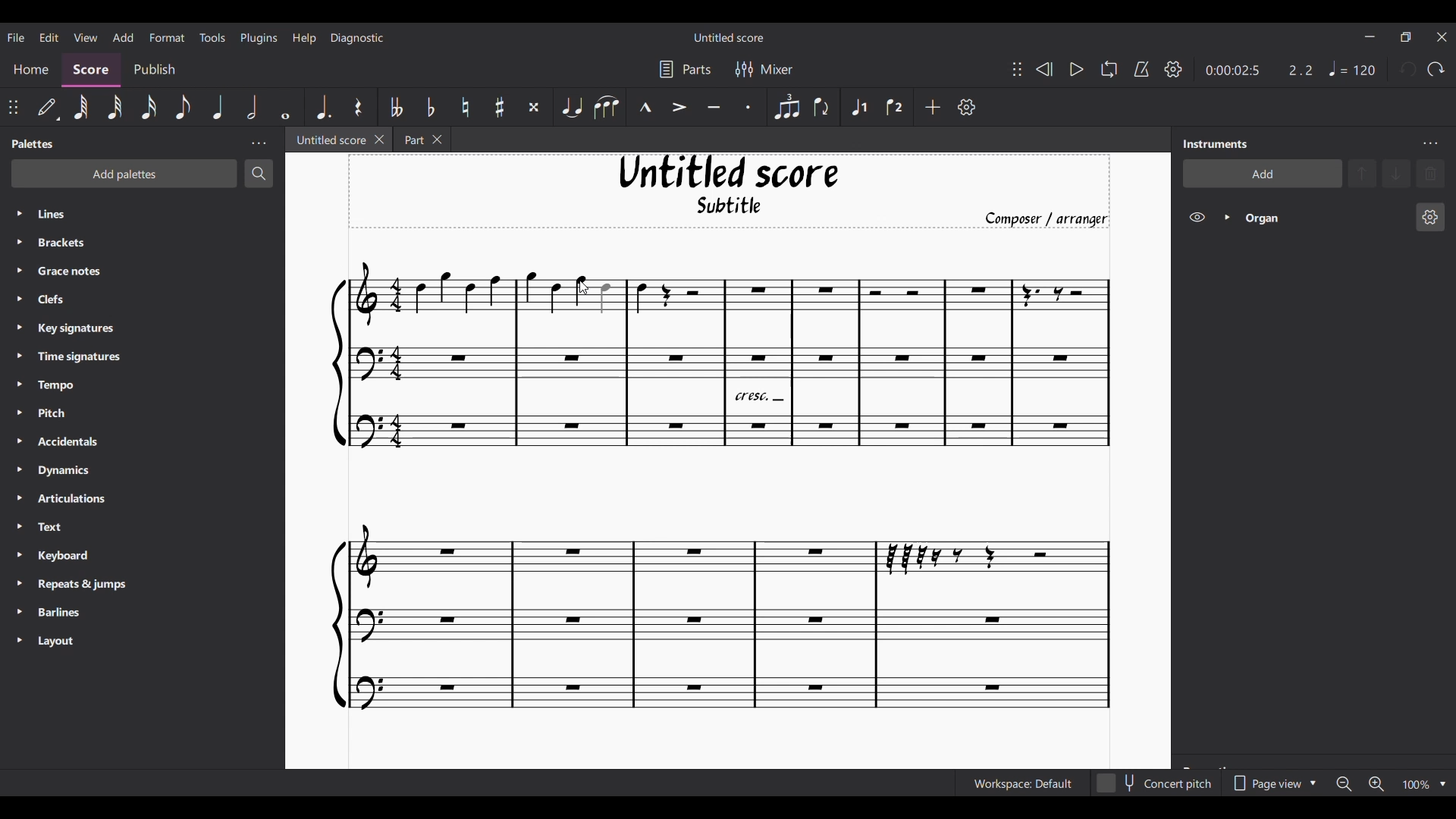 This screenshot has width=1456, height=819. Describe the element at coordinates (822, 107) in the screenshot. I see `Flip direction` at that location.